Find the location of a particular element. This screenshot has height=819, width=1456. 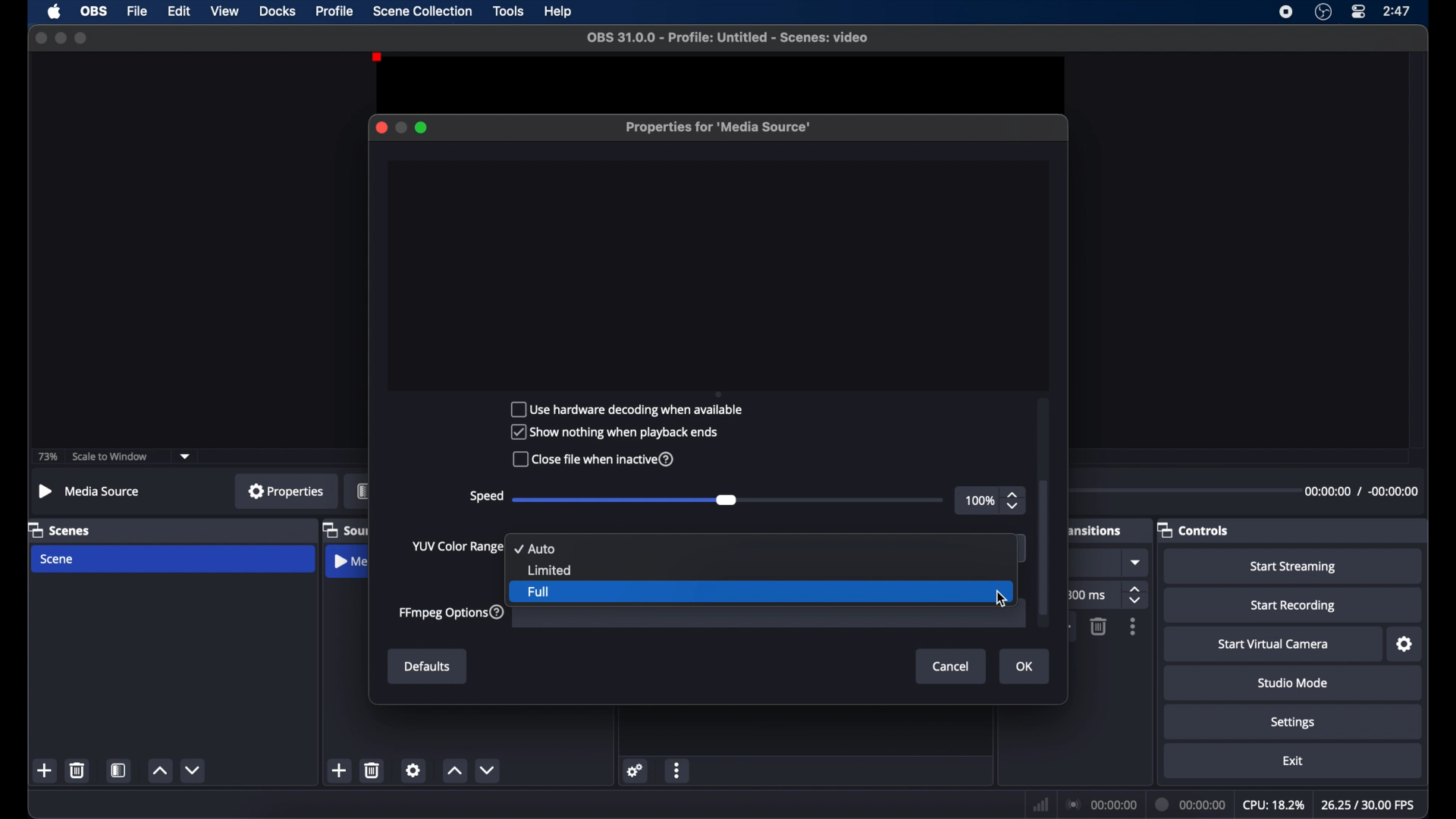

exit  is located at coordinates (1293, 761).